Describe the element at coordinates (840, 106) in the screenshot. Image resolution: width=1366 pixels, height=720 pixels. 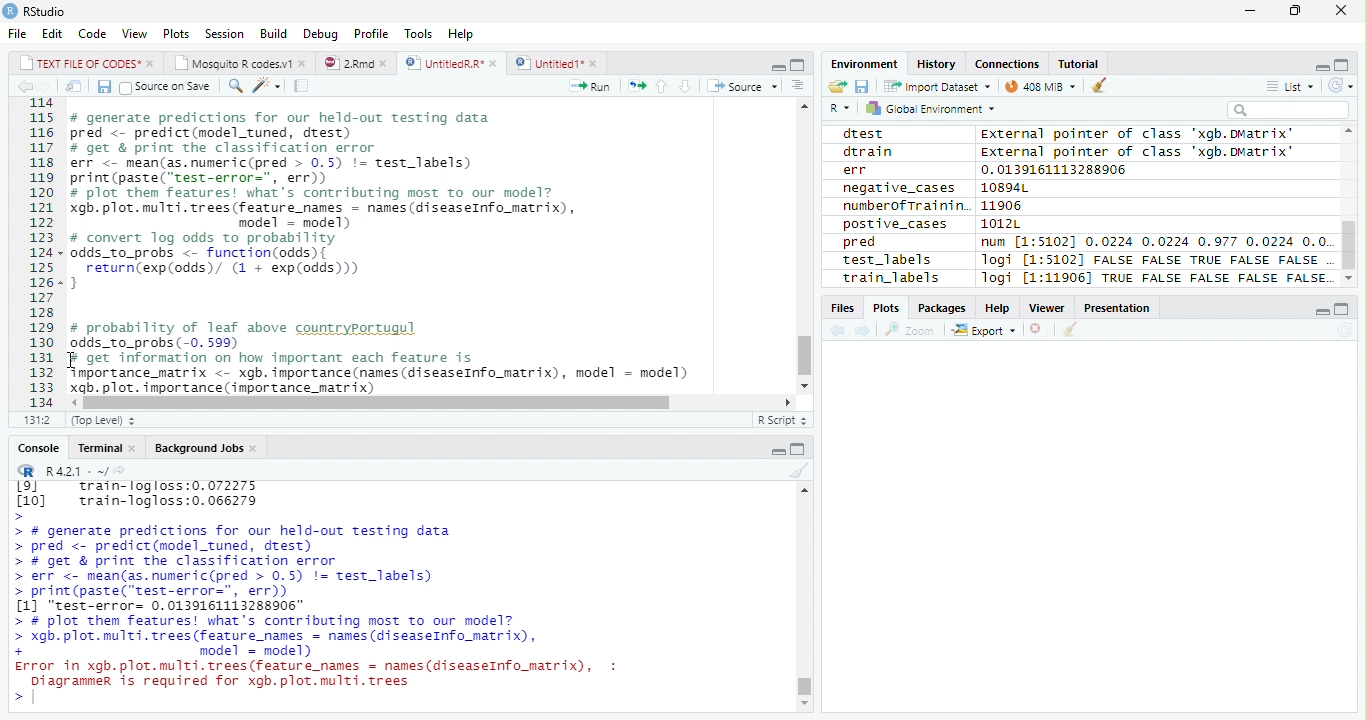
I see `R` at that location.